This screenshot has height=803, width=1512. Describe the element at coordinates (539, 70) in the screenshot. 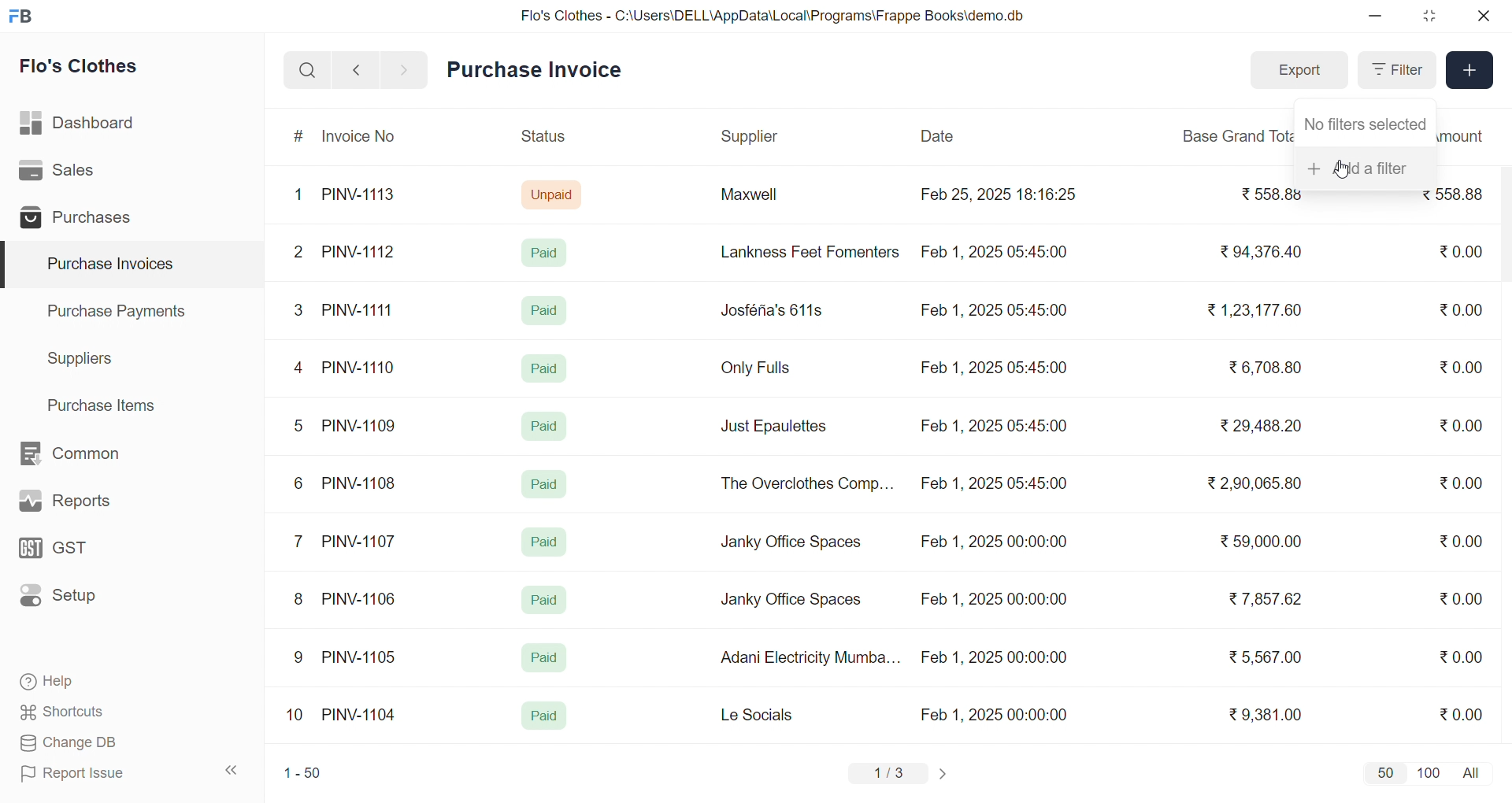

I see `Purchase Invoice` at that location.